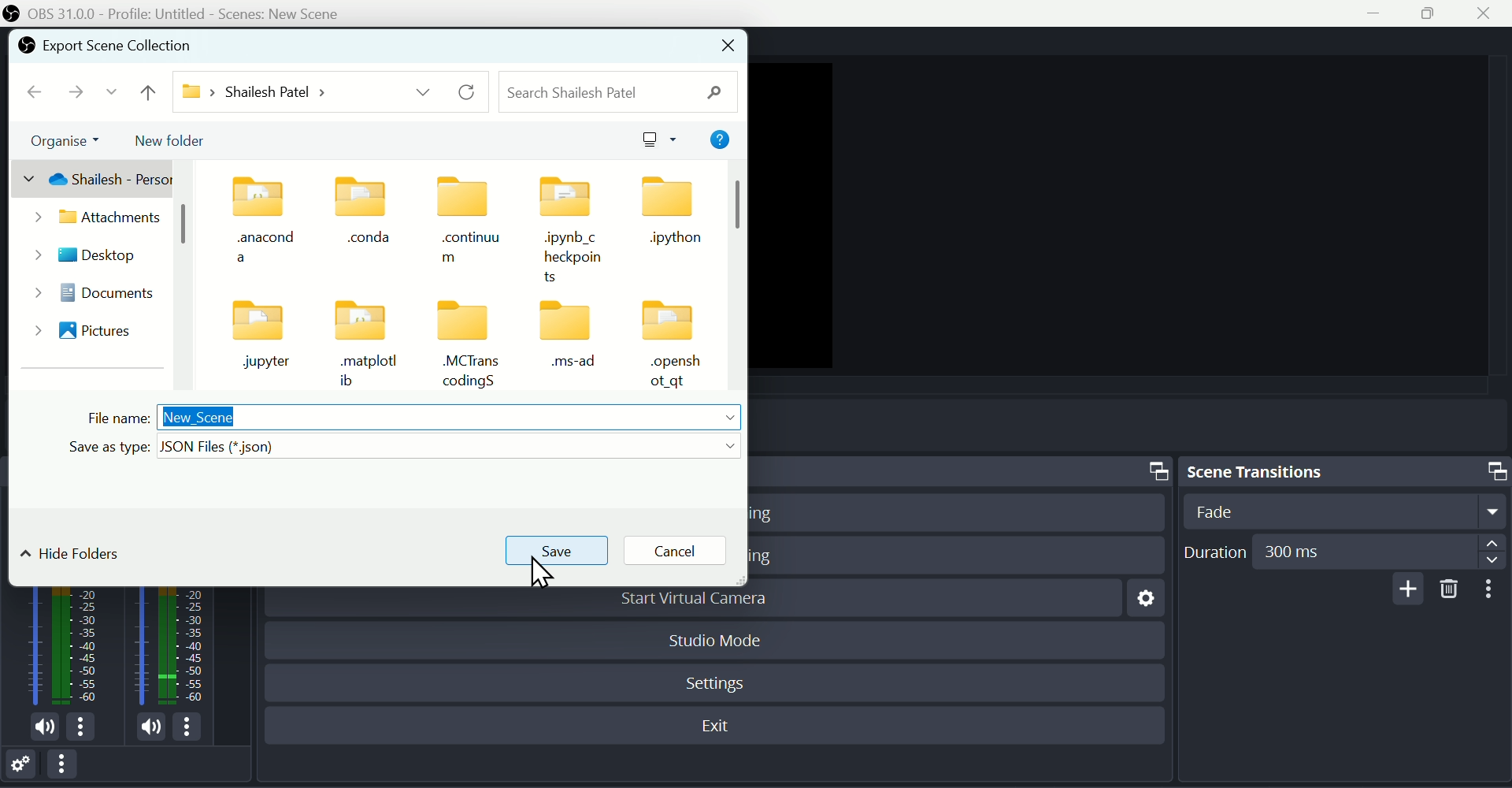 This screenshot has width=1512, height=788. Describe the element at coordinates (716, 638) in the screenshot. I see `Studio mode` at that location.